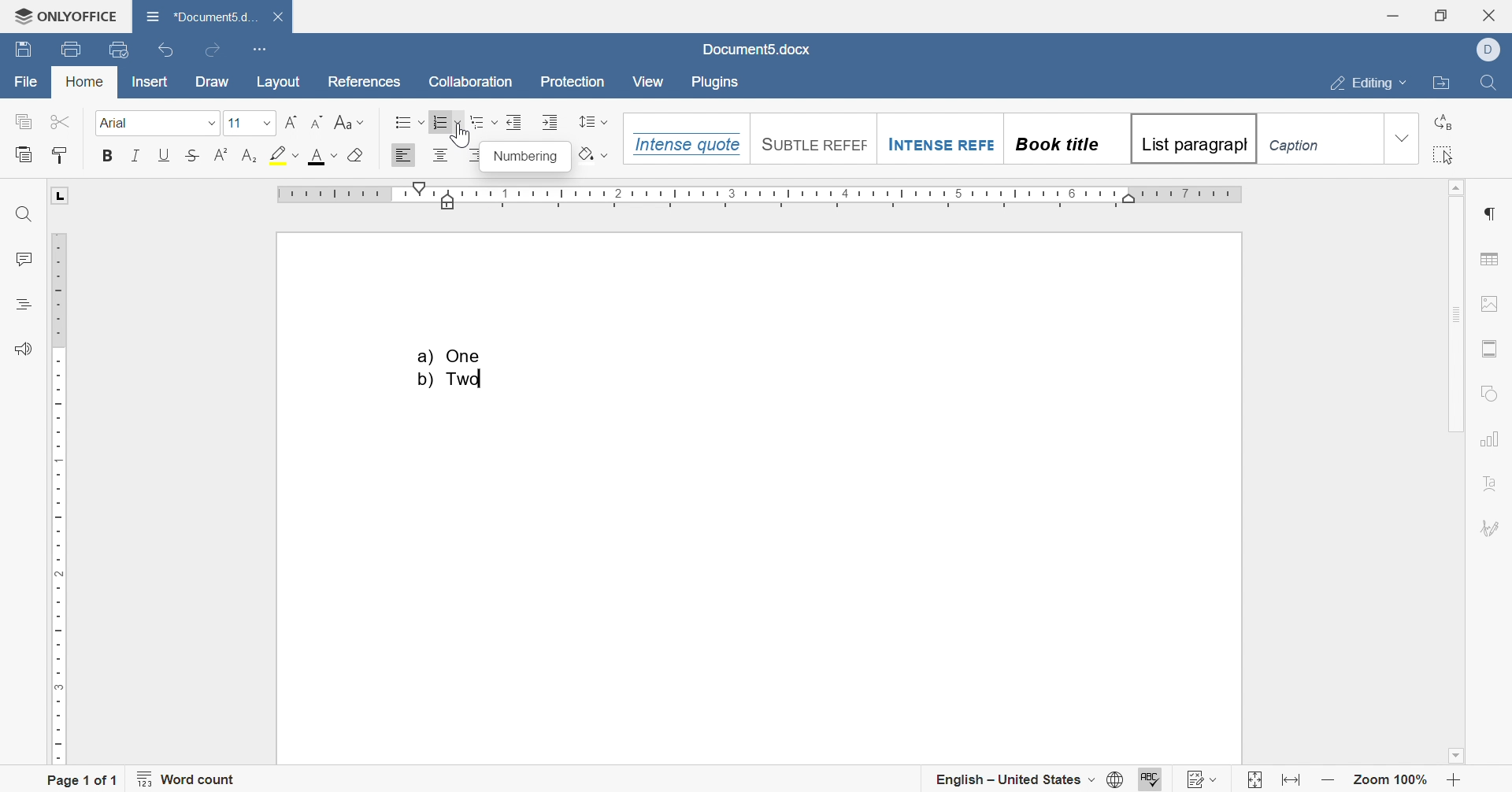 Image resolution: width=1512 pixels, height=792 pixels. Describe the element at coordinates (107, 155) in the screenshot. I see `bold` at that location.